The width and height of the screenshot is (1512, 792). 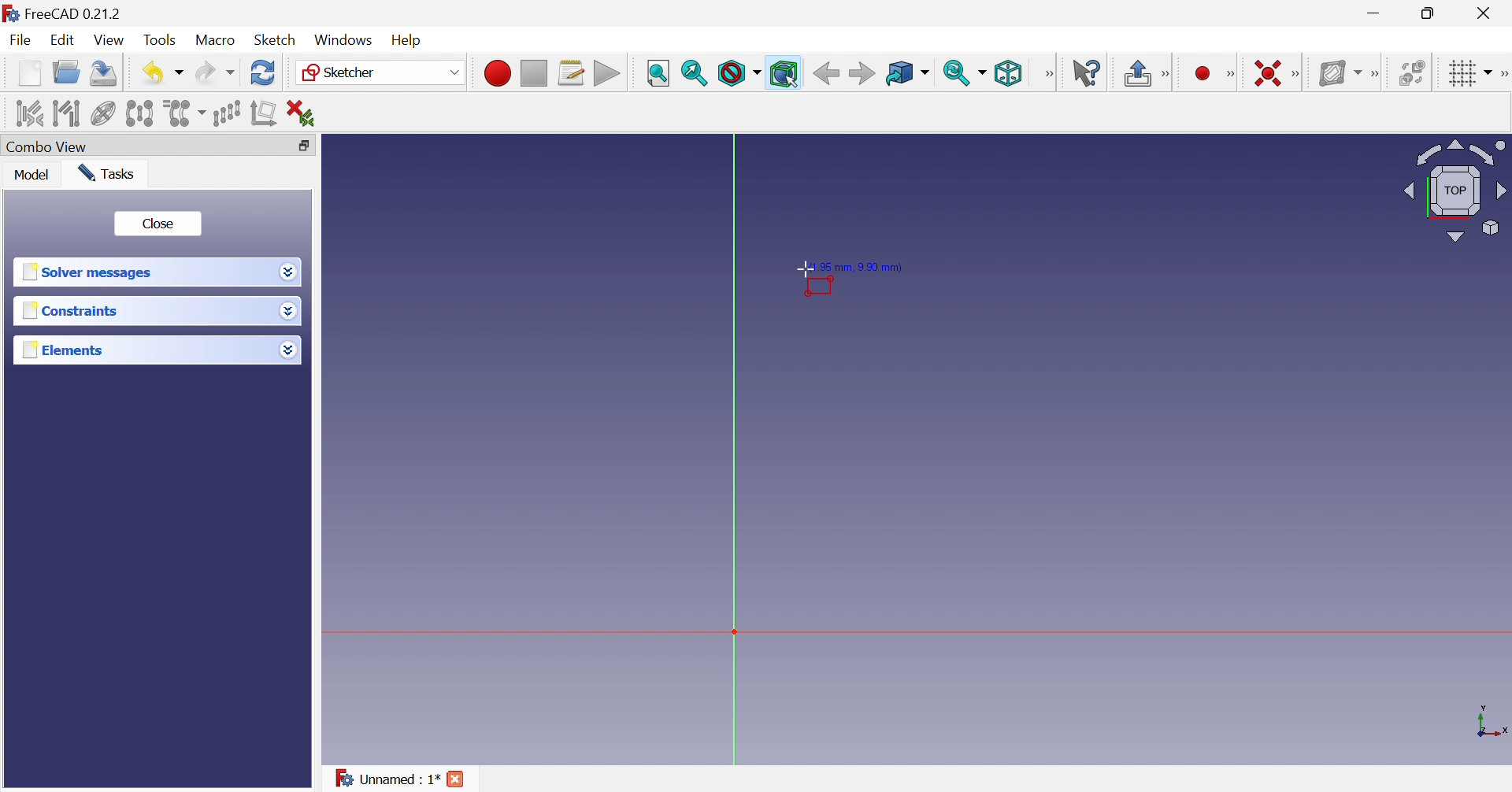 What do you see at coordinates (658, 73) in the screenshot?
I see `Fit all` at bounding box center [658, 73].